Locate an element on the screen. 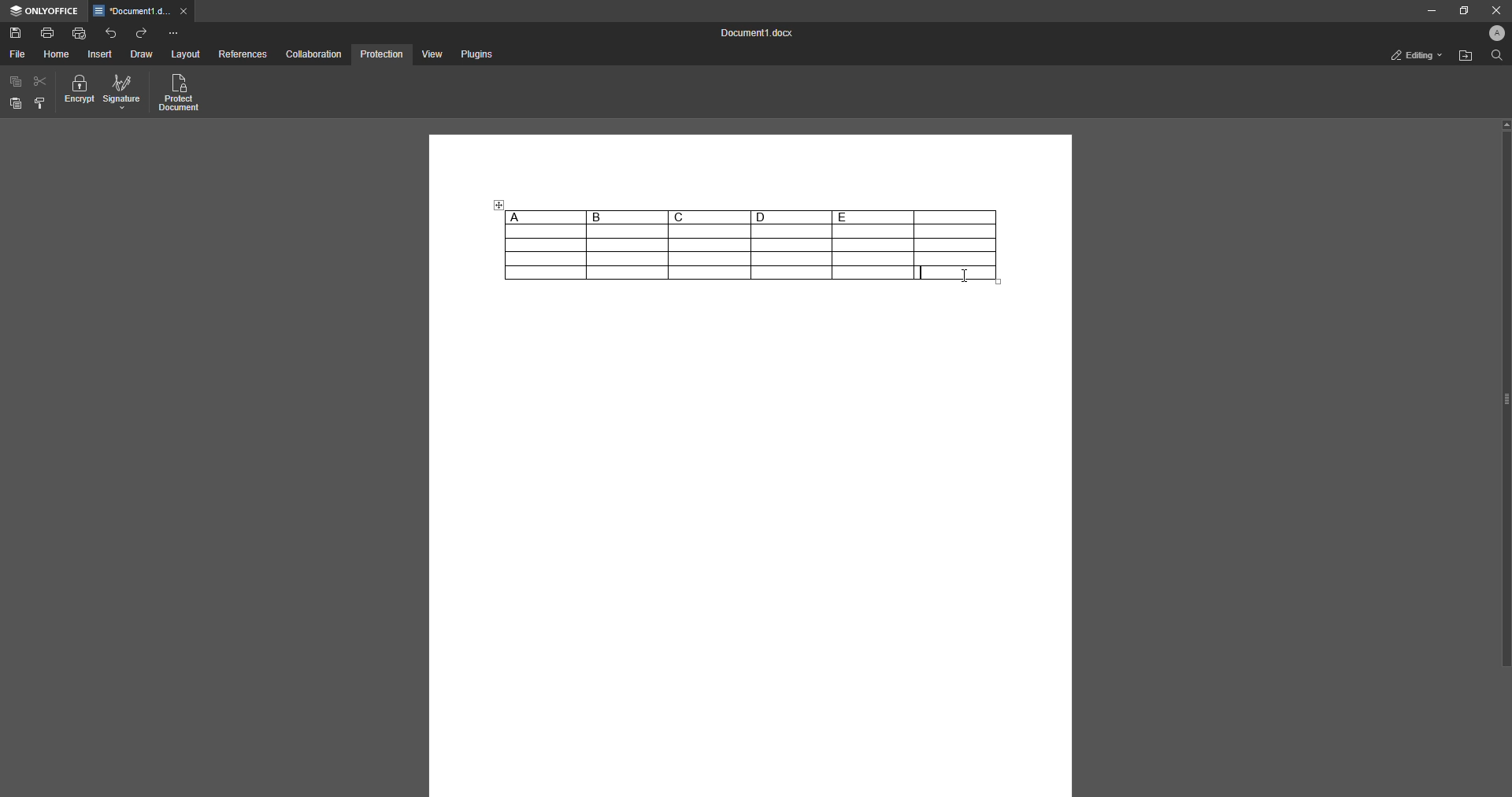  Restore is located at coordinates (1460, 10).